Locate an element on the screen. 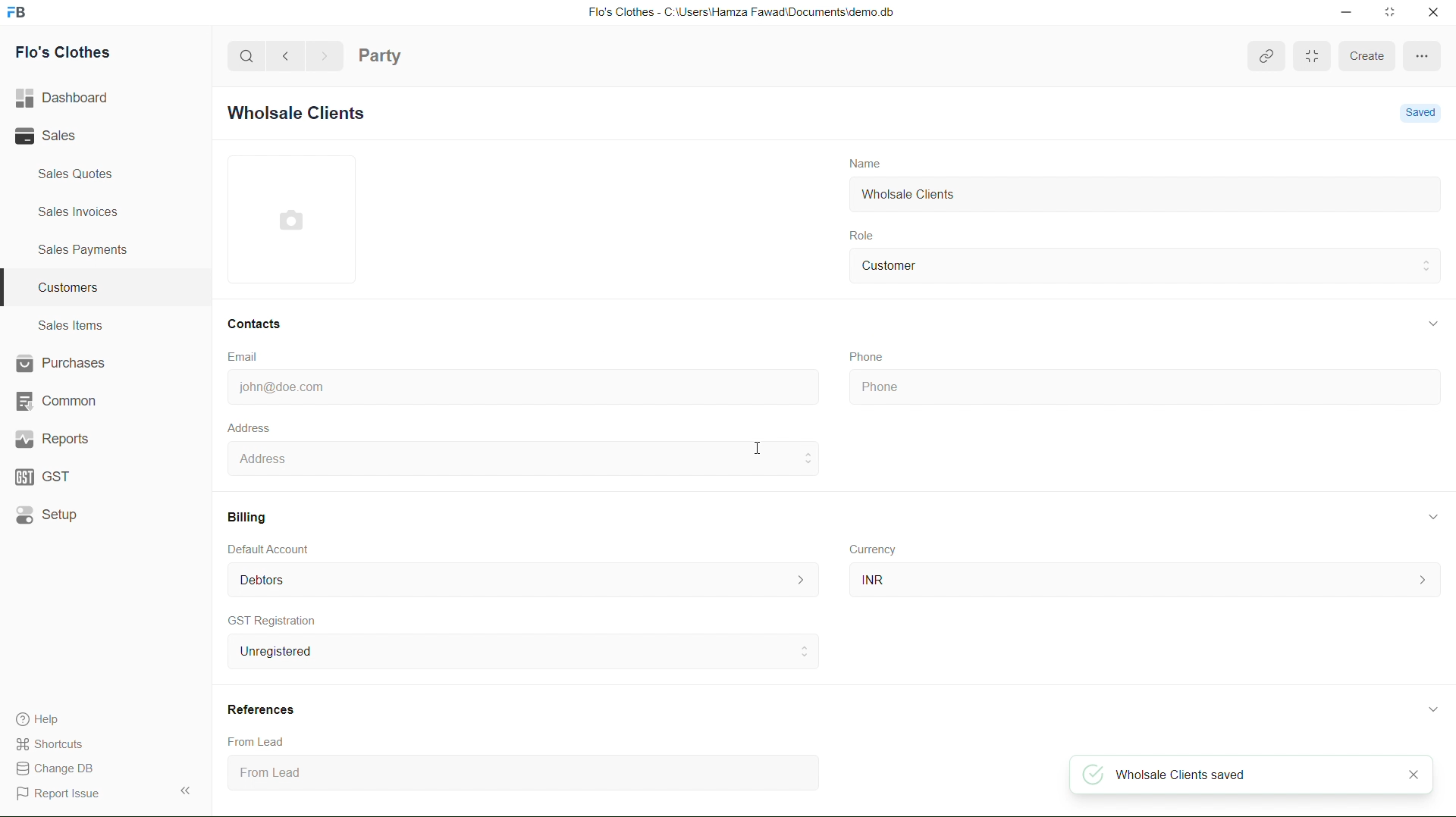  Sales Items is located at coordinates (71, 326).